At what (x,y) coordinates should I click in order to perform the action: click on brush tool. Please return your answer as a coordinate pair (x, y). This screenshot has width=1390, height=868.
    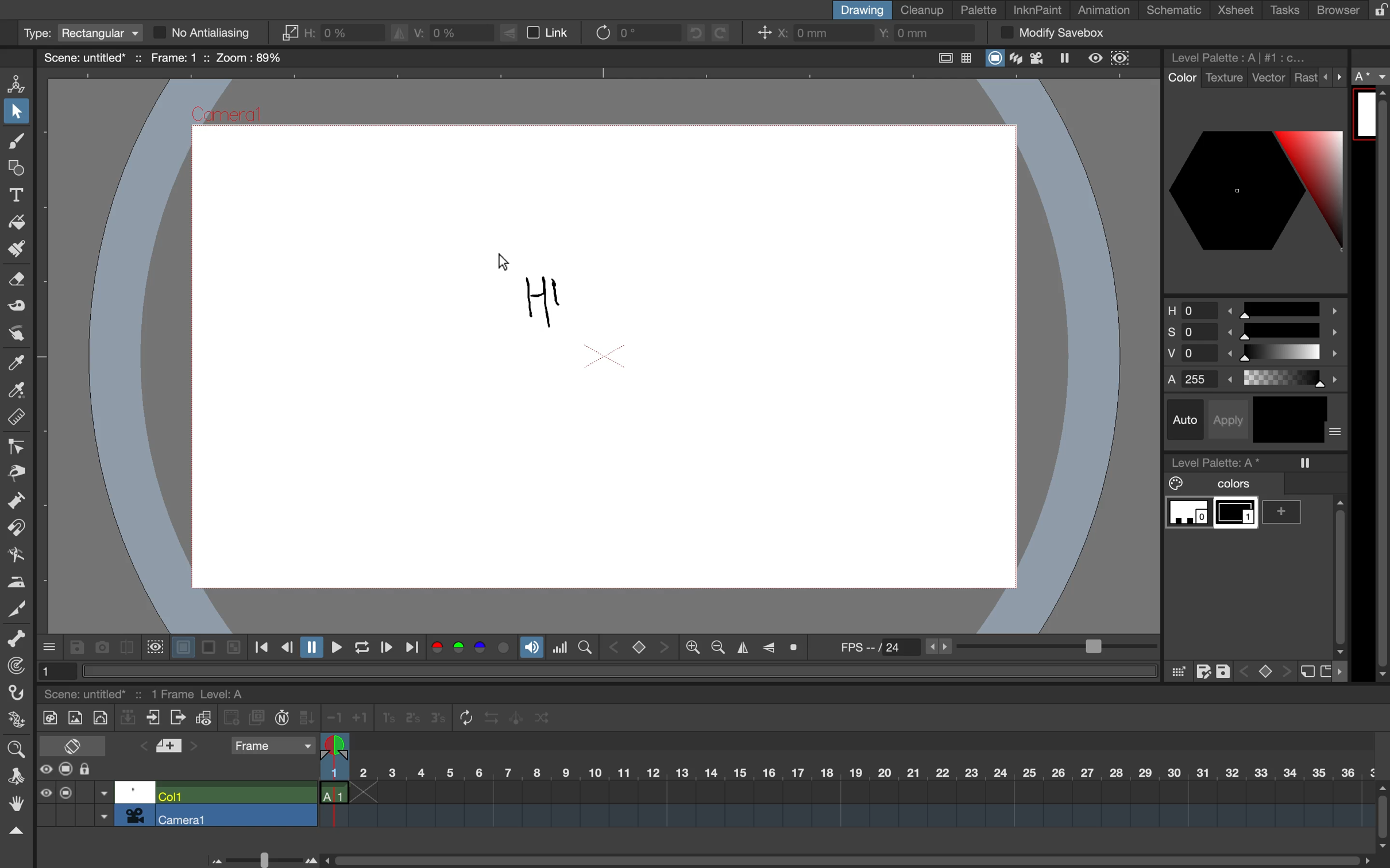
    Looking at the image, I should click on (14, 143).